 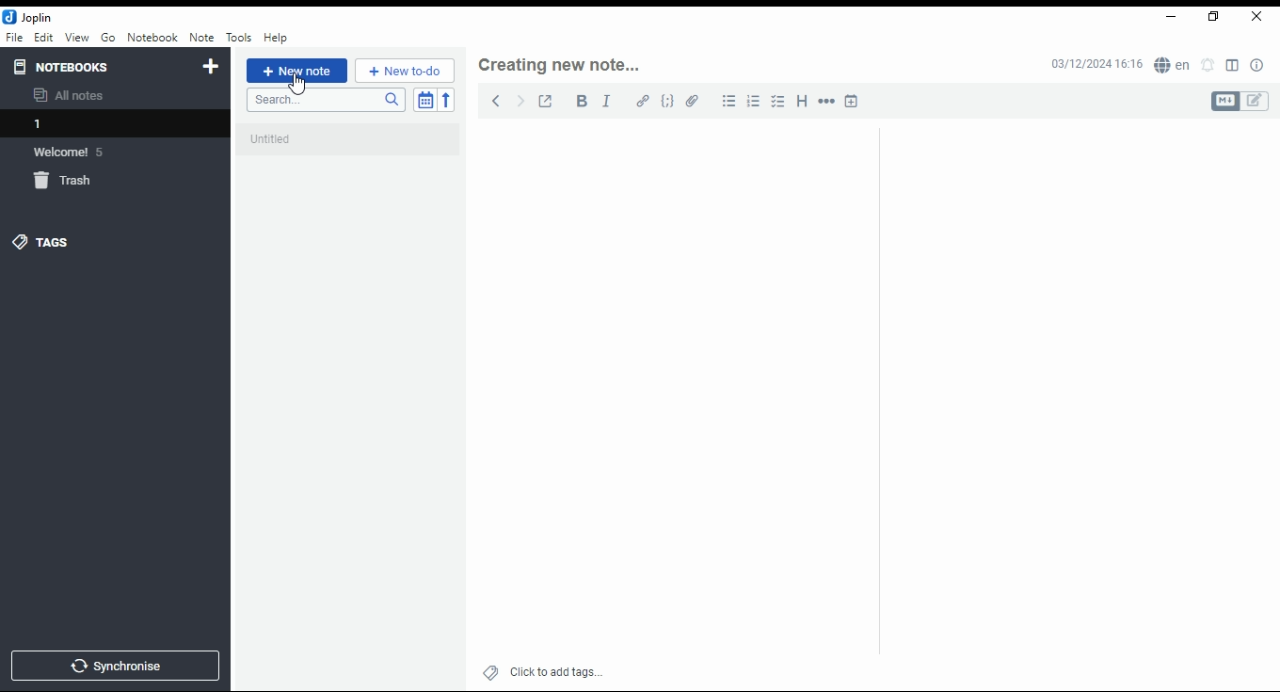 What do you see at coordinates (562, 65) in the screenshot?
I see `note header` at bounding box center [562, 65].